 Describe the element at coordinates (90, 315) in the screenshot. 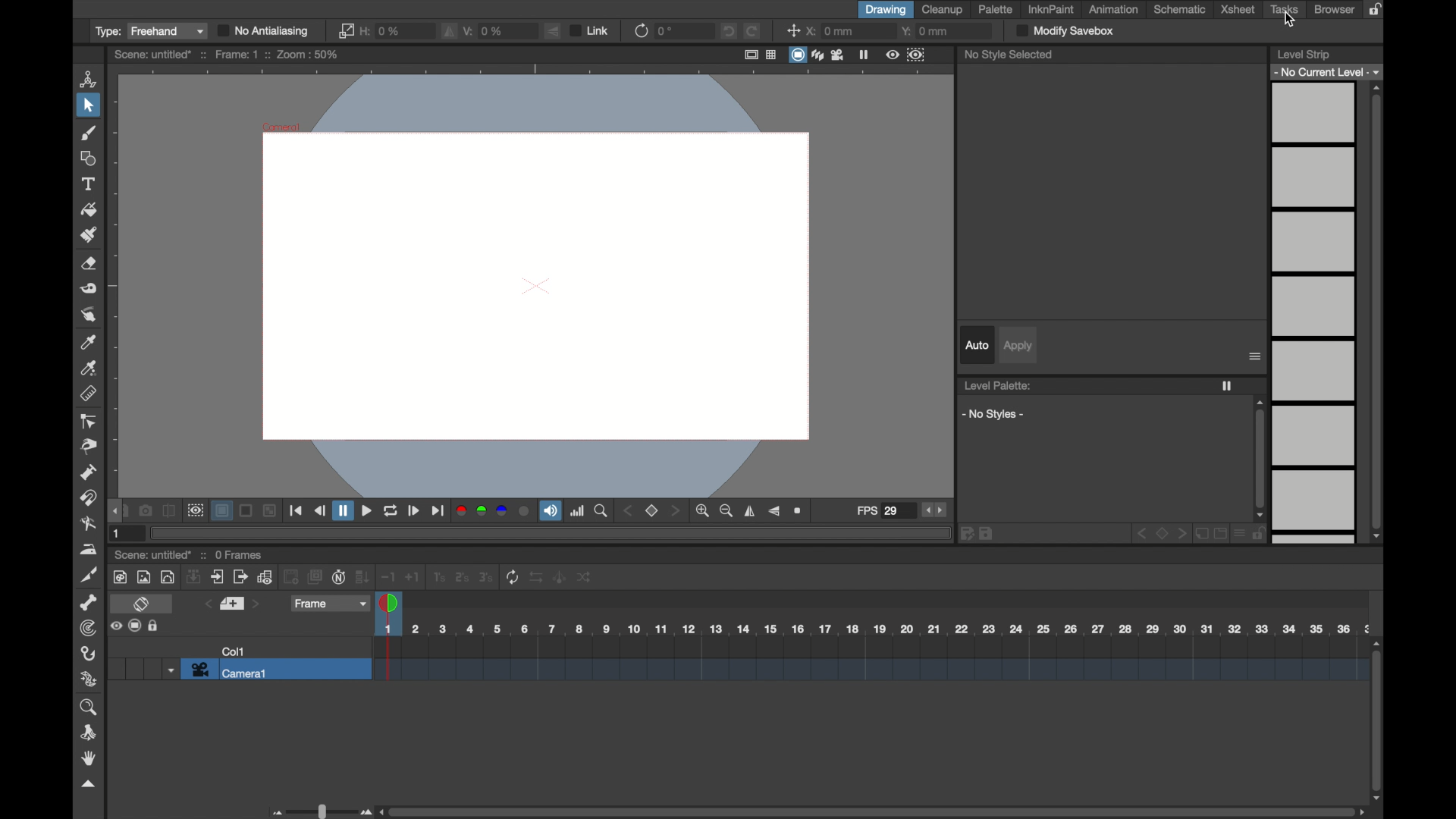

I see `finger tool` at that location.